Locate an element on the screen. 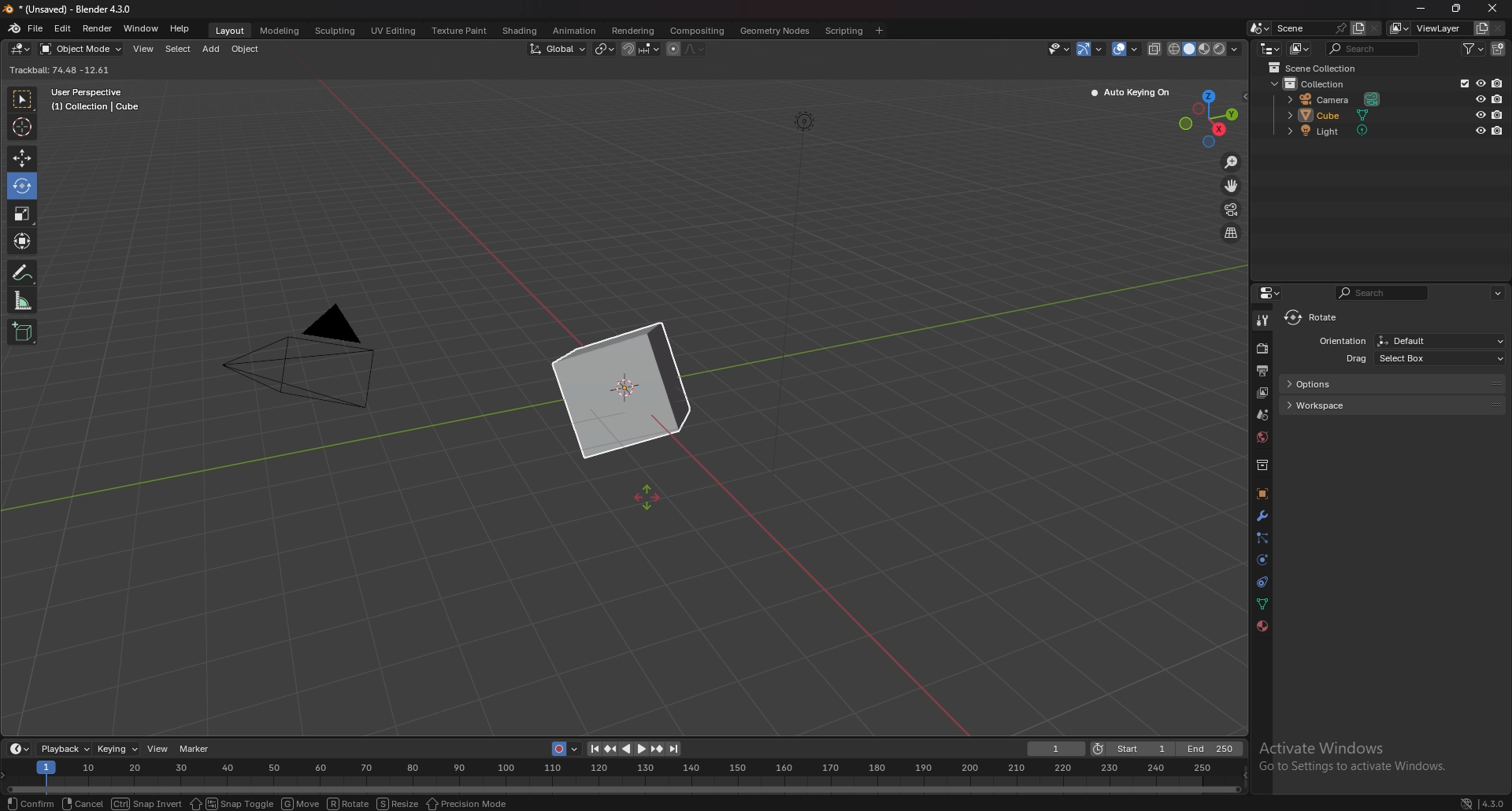  workspace is located at coordinates (1398, 405).